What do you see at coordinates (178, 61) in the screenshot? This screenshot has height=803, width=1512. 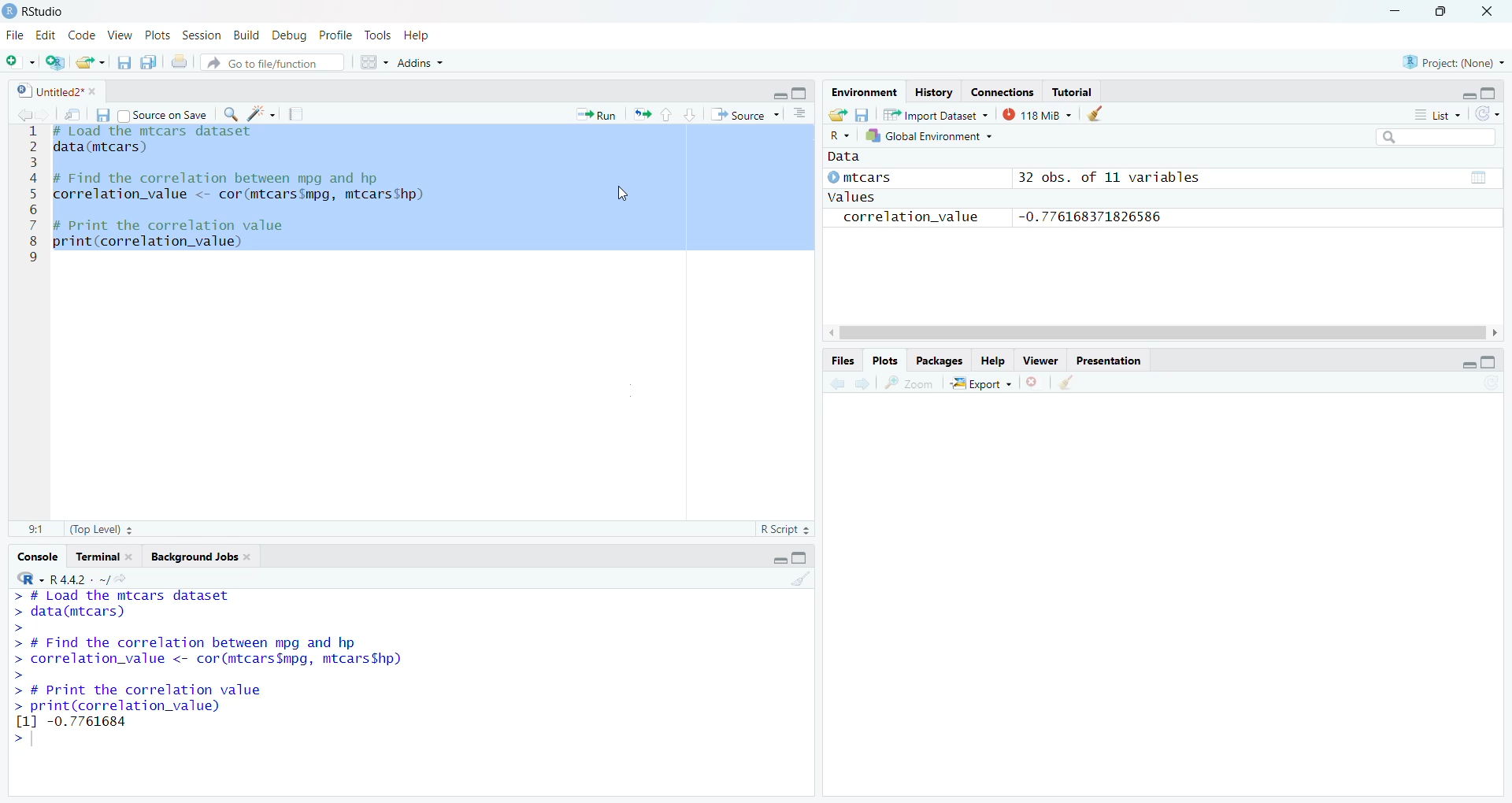 I see `Print the current file` at bounding box center [178, 61].